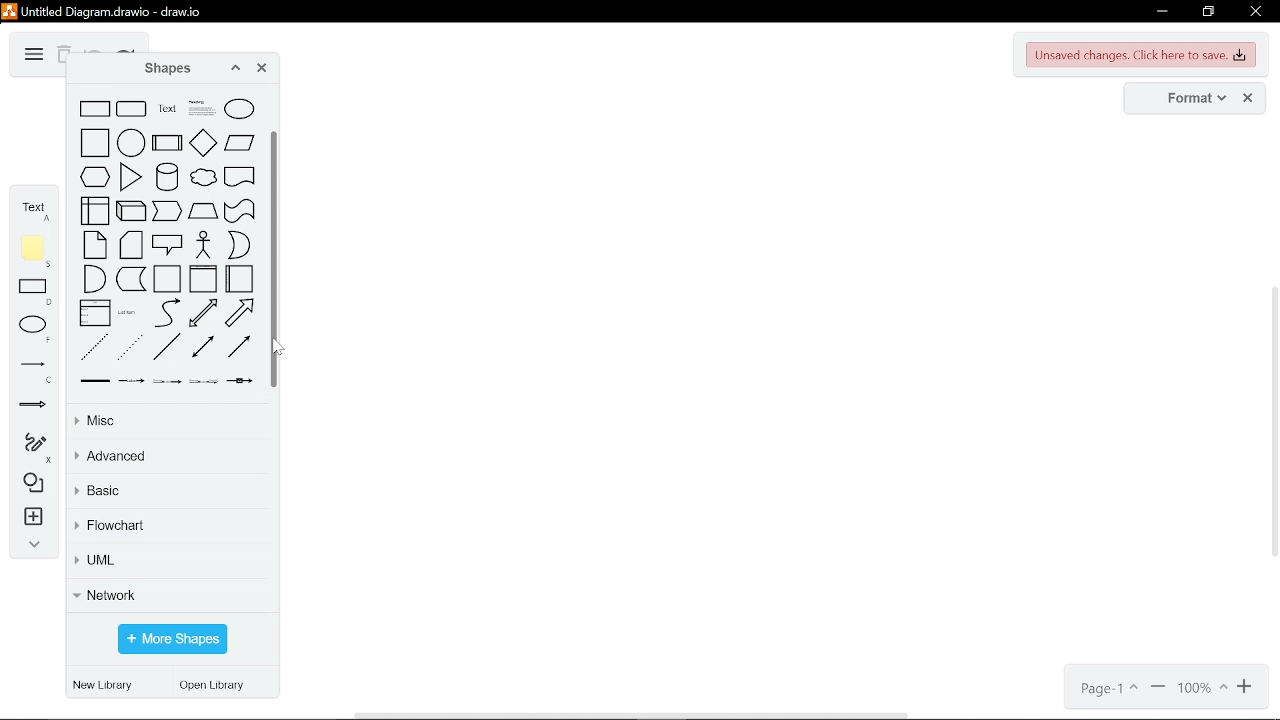 The width and height of the screenshot is (1280, 720). Describe the element at coordinates (95, 176) in the screenshot. I see `hexagon` at that location.